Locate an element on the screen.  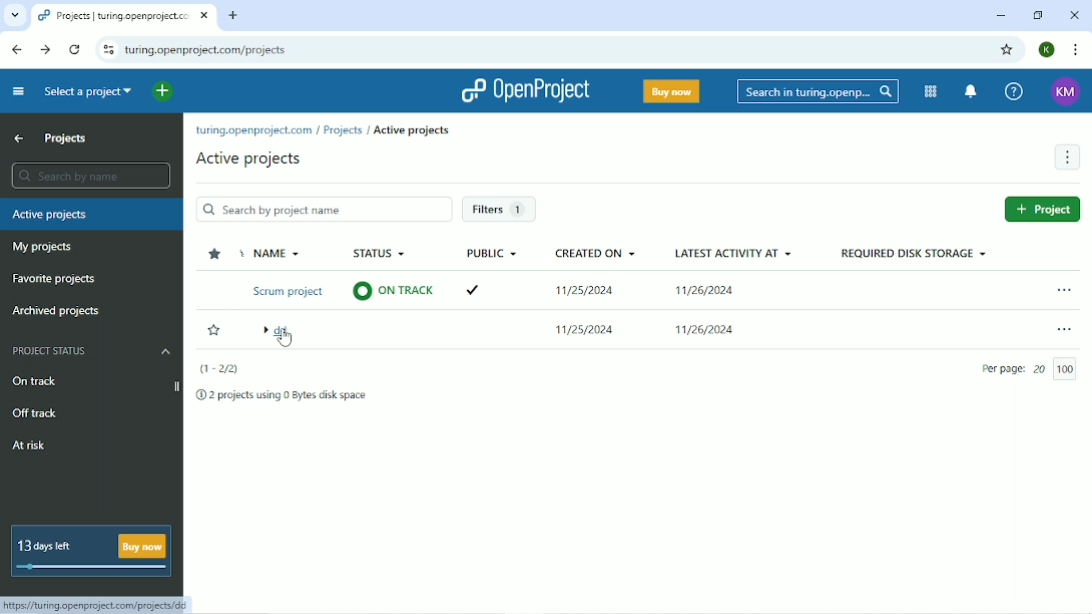
turing.openproject.com is located at coordinates (256, 129).